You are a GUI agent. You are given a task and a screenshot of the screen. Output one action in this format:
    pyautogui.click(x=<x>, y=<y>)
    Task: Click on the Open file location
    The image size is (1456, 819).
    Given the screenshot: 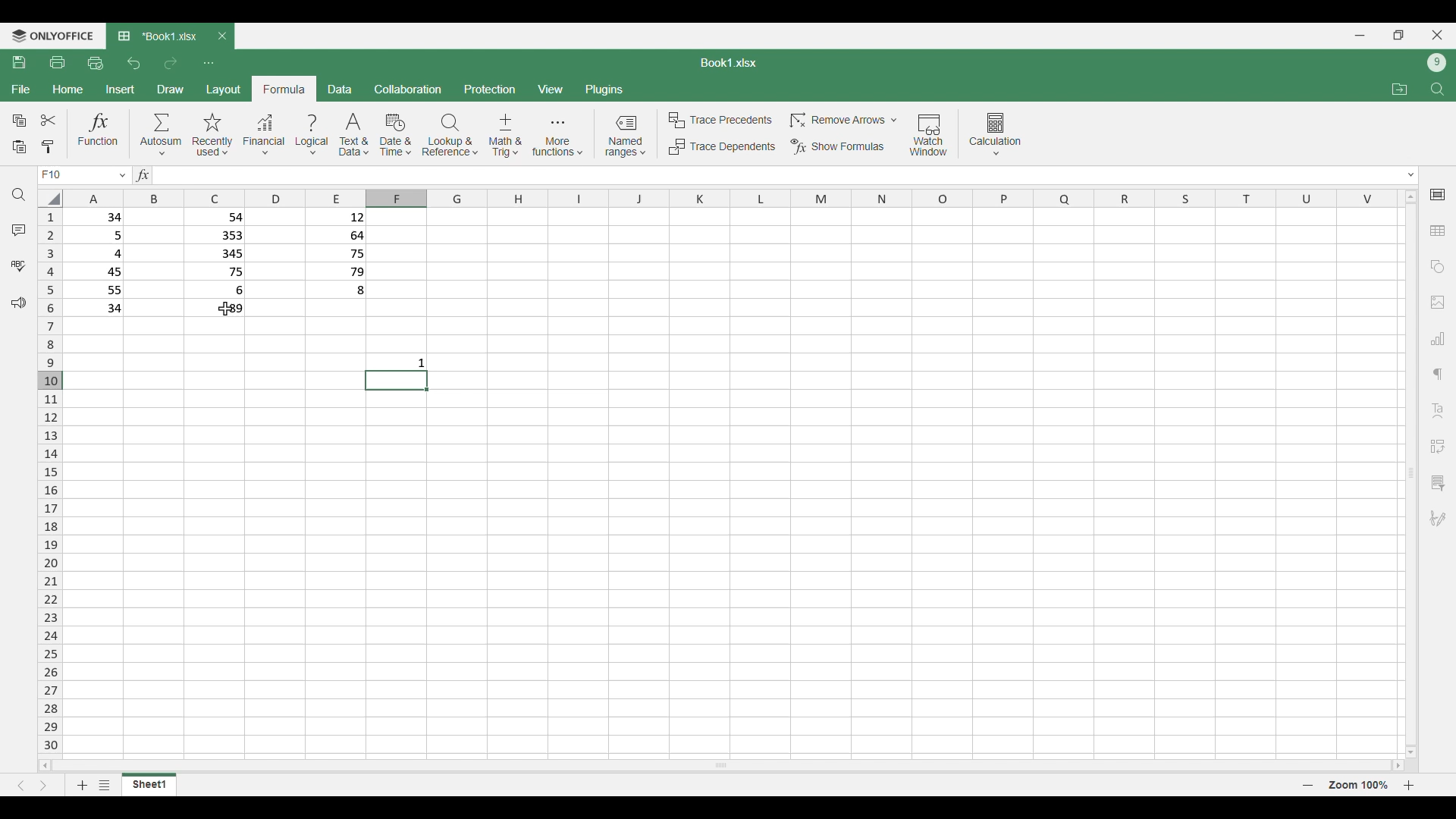 What is the action you would take?
    pyautogui.click(x=1400, y=89)
    